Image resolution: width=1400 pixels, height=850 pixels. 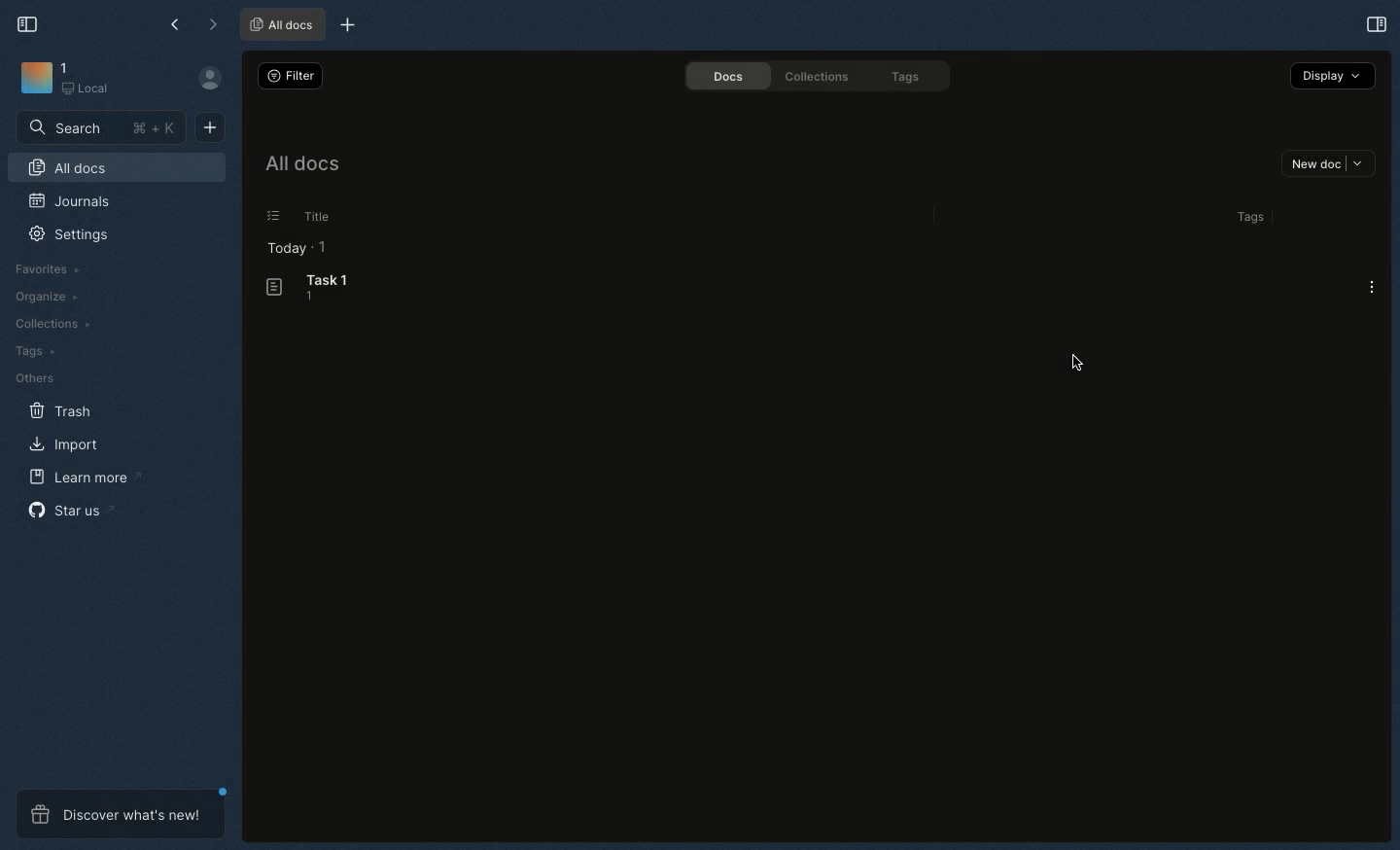 I want to click on Organize, so click(x=48, y=298).